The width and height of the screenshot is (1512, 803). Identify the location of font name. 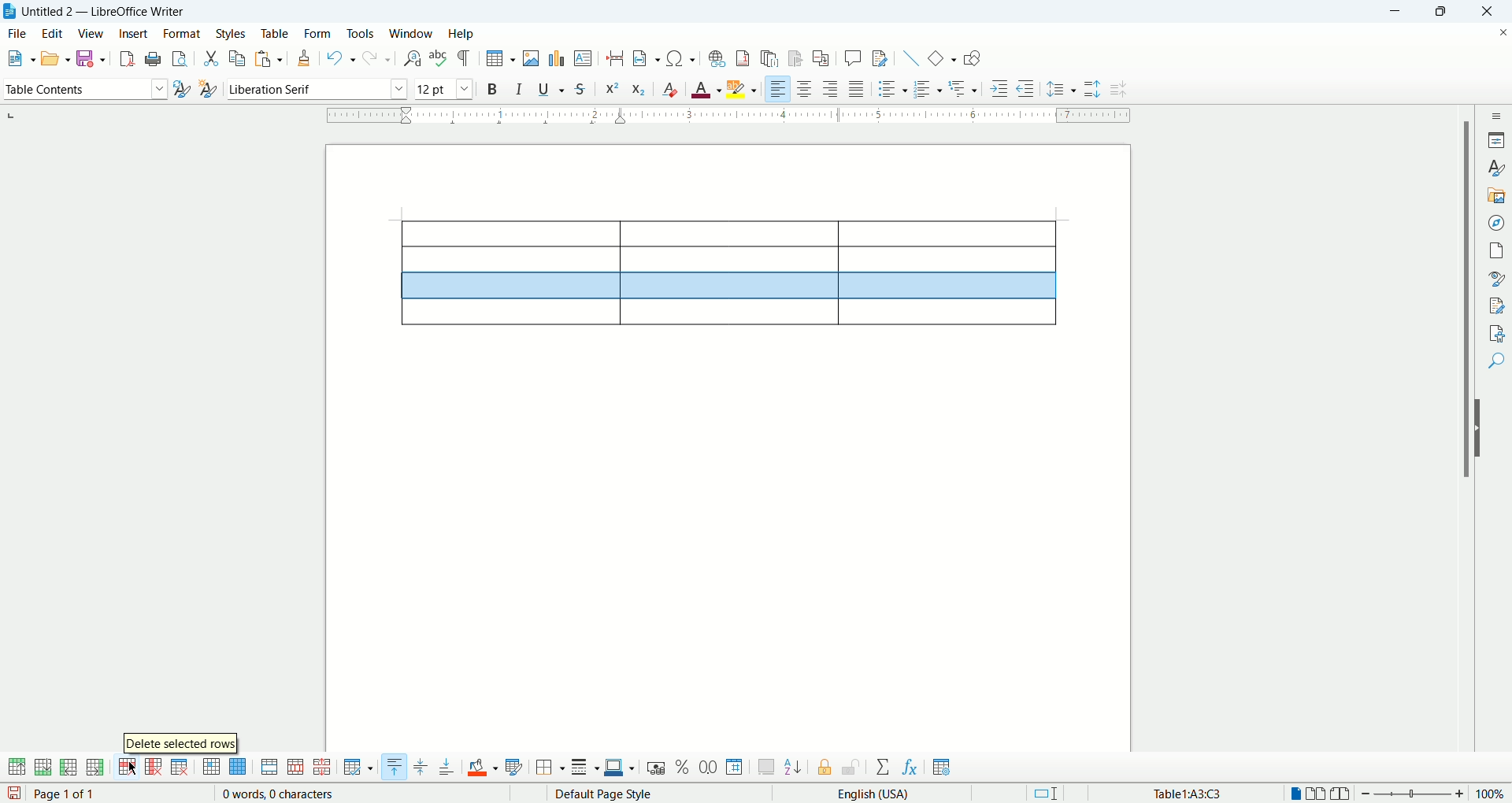
(315, 87).